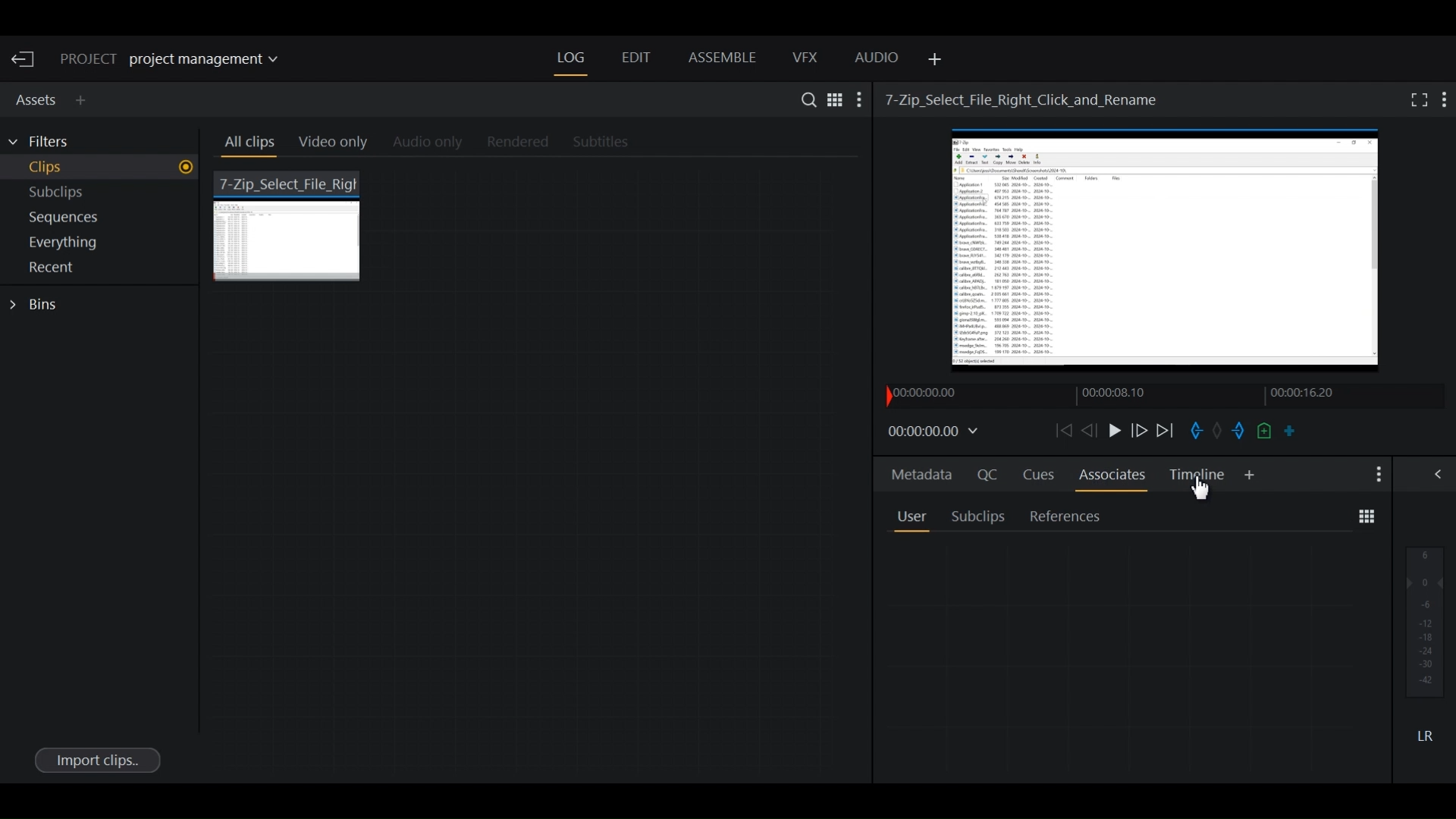 This screenshot has height=819, width=1456. What do you see at coordinates (1132, 657) in the screenshot?
I see `Quality Control Reports` at bounding box center [1132, 657].